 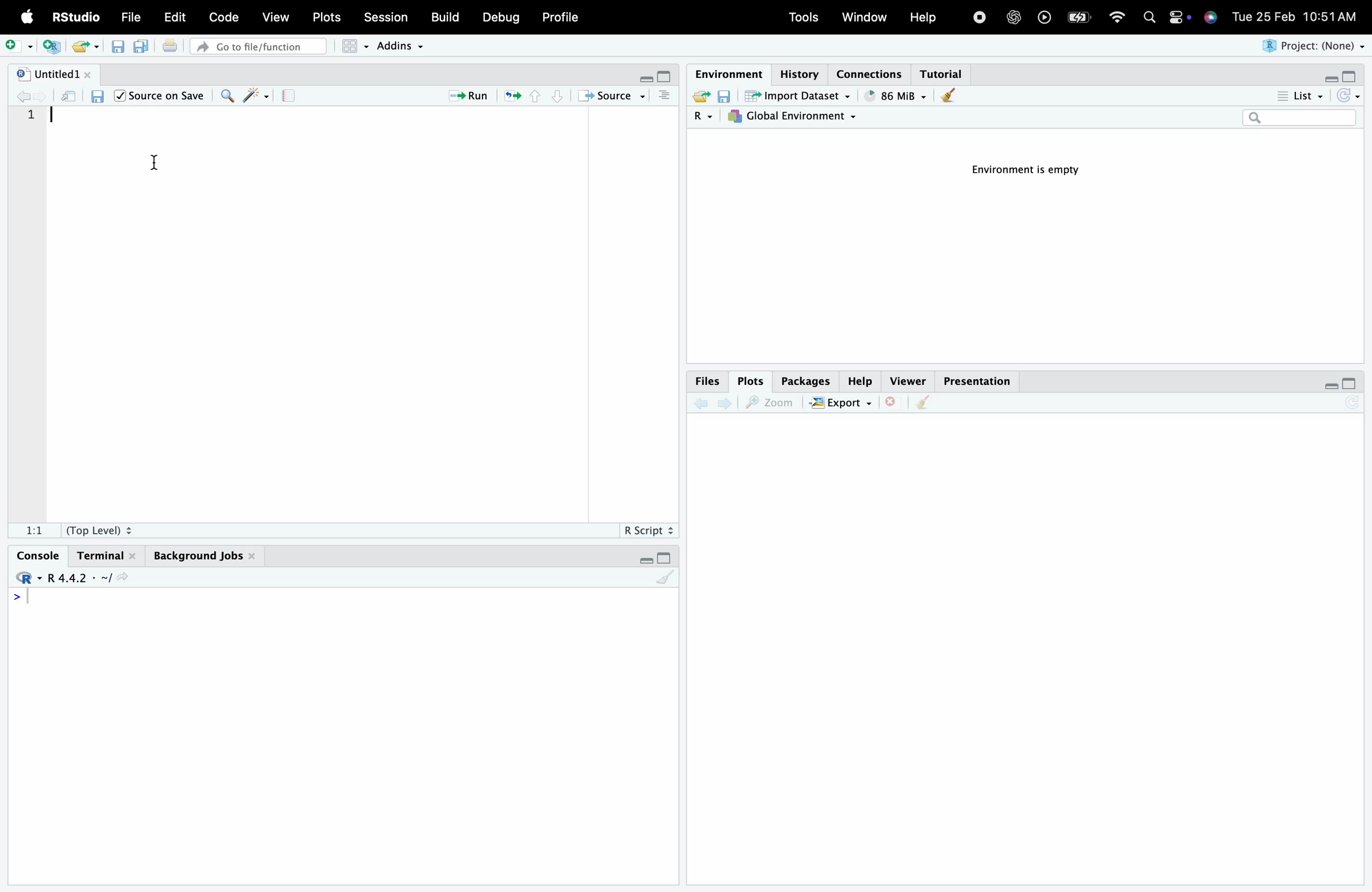 I want to click on R Script +, so click(x=647, y=529).